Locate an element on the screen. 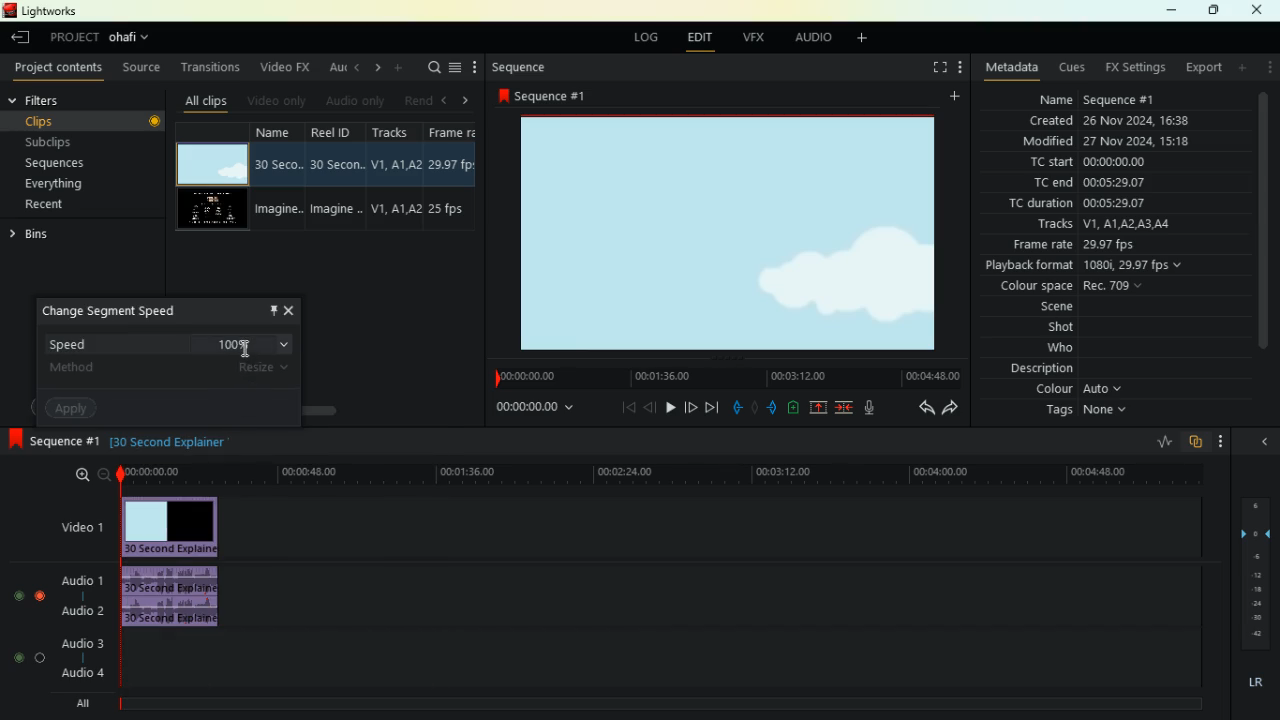 Image resolution: width=1280 pixels, height=720 pixels. audio is located at coordinates (815, 40).